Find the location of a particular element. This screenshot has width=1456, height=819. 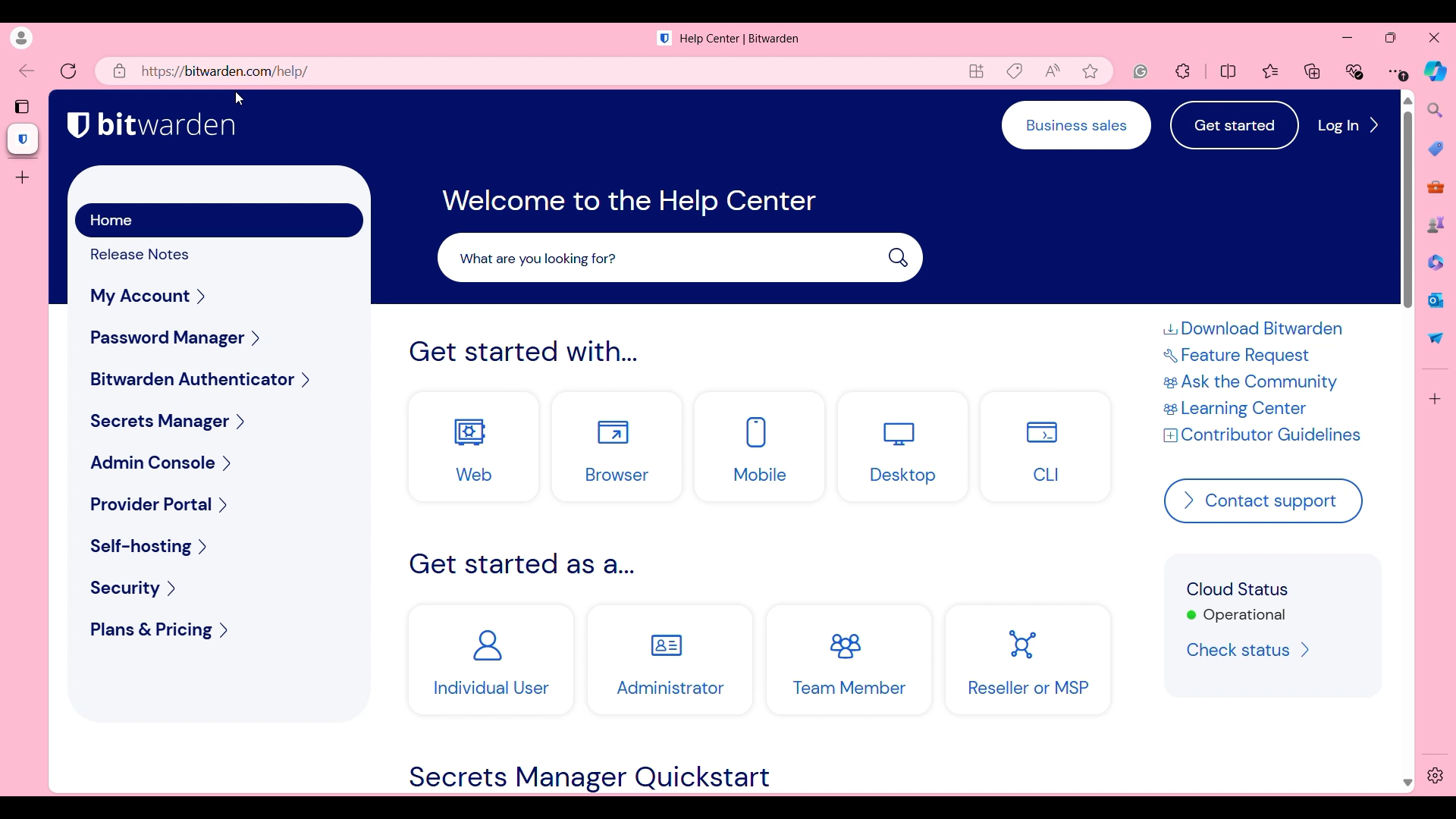

Split screen is located at coordinates (1228, 72).